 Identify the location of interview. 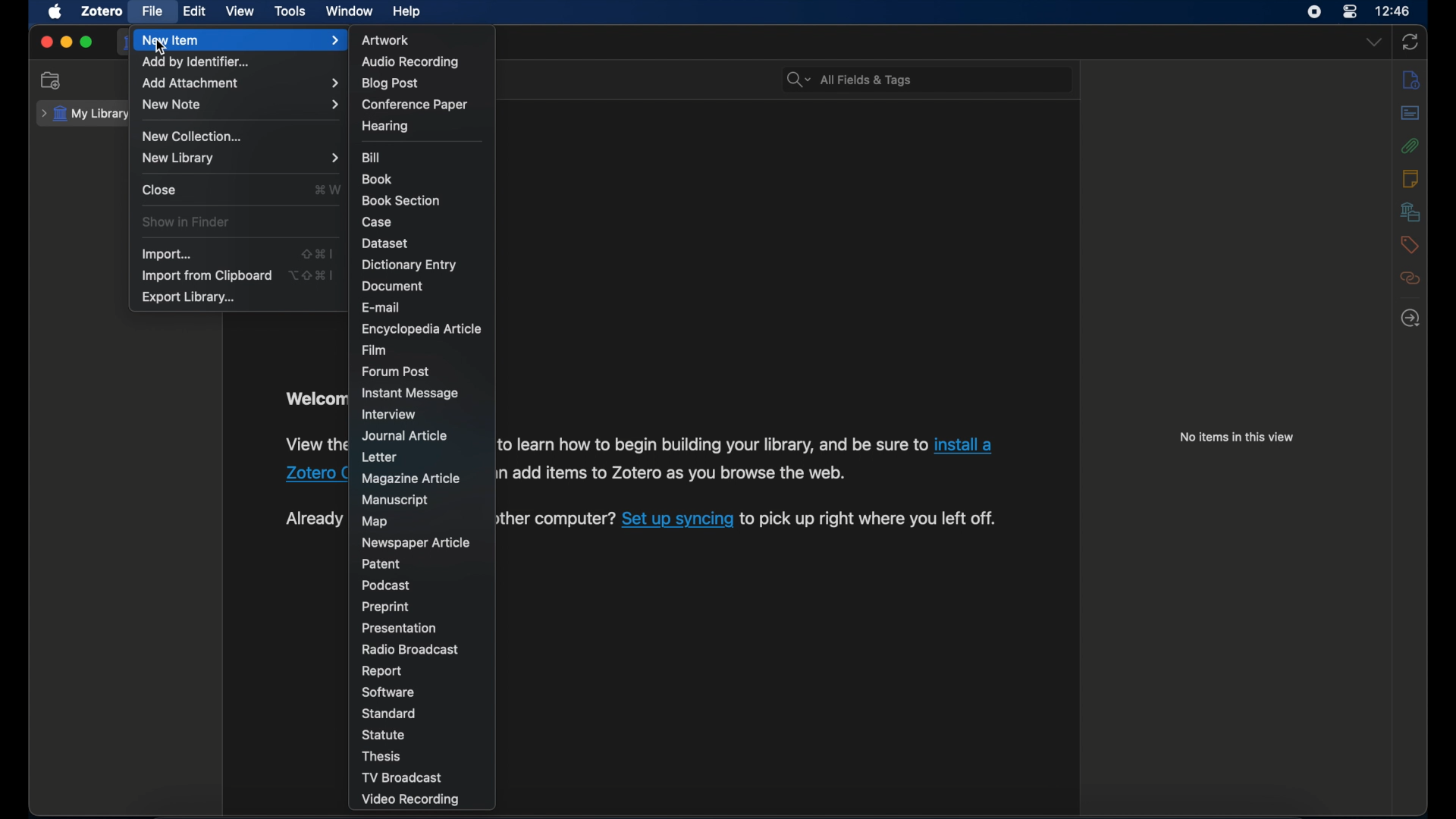
(388, 414).